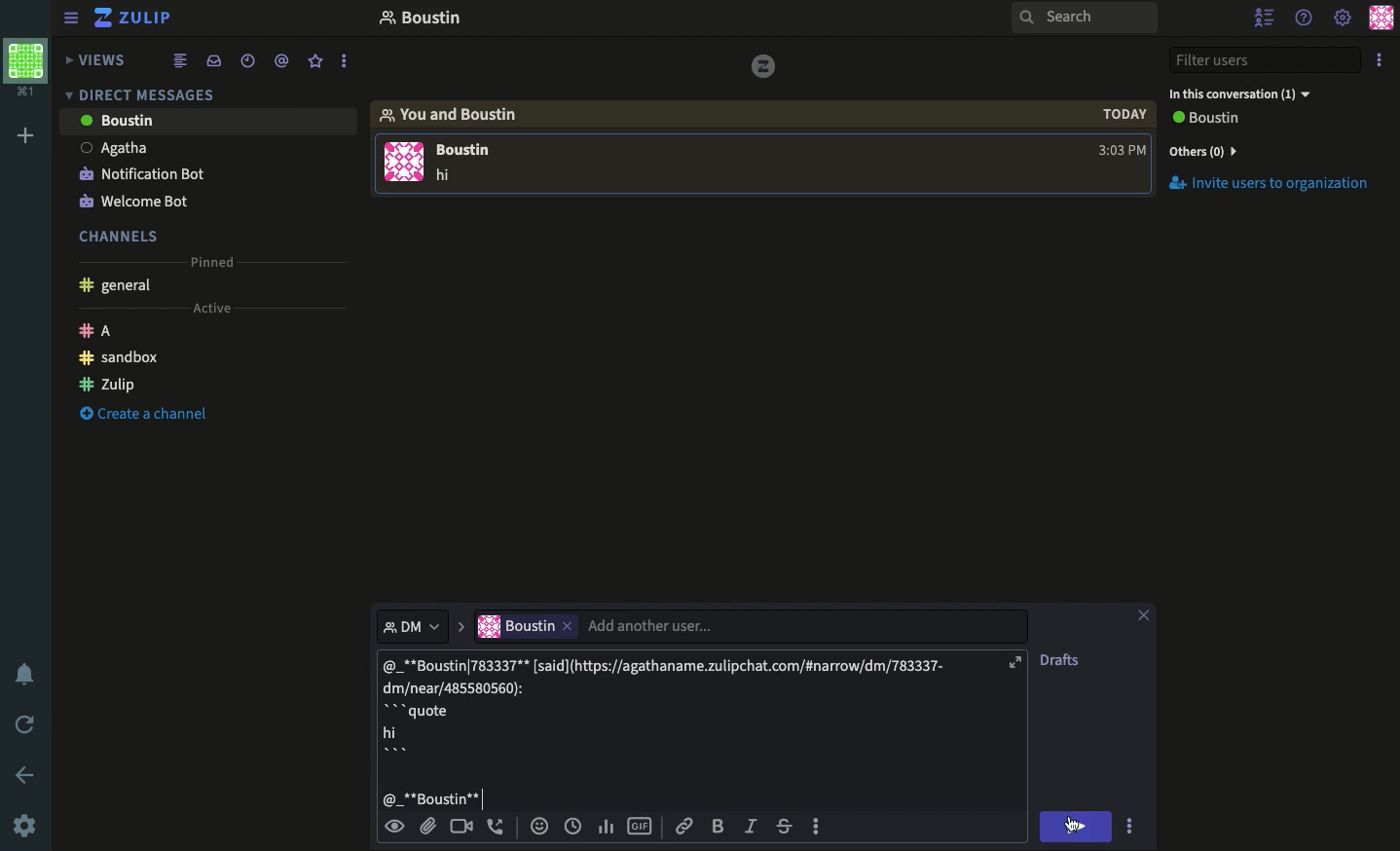 The width and height of the screenshot is (1400, 851). Describe the element at coordinates (1152, 613) in the screenshot. I see `Clear` at that location.